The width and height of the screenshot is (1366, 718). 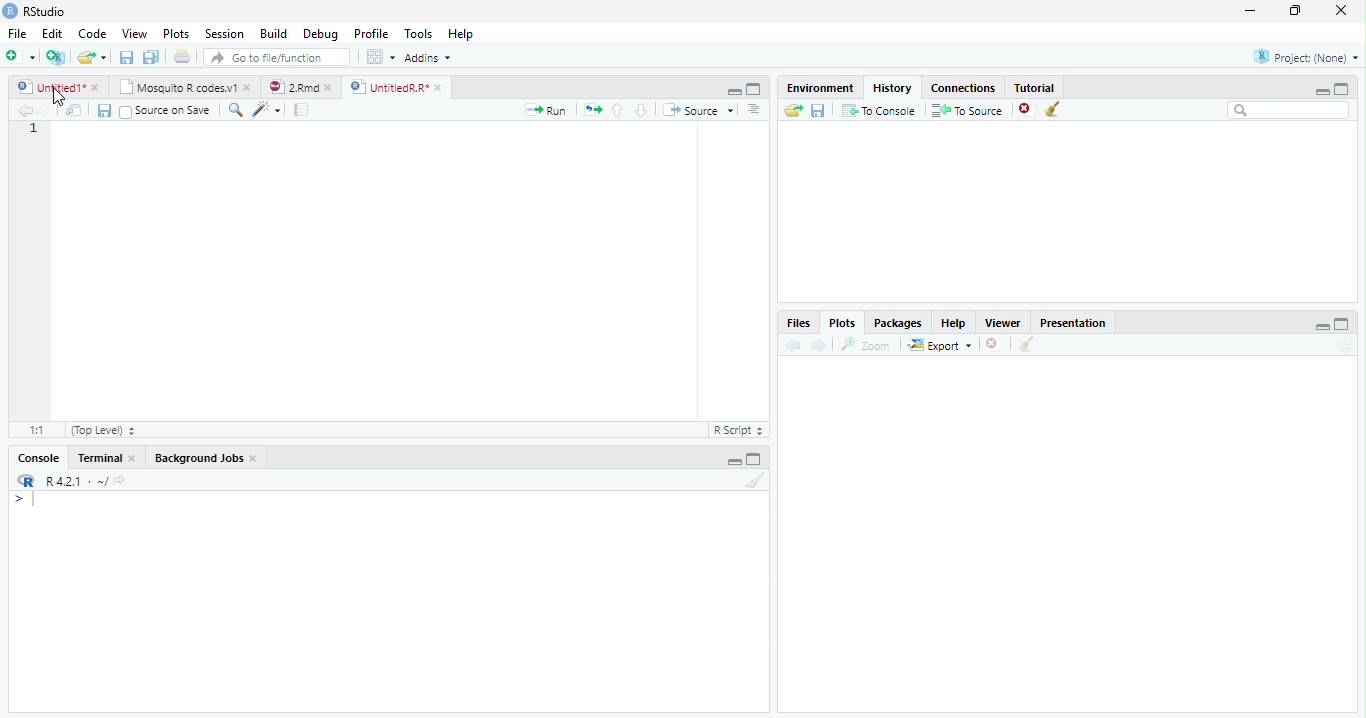 I want to click on Show in new window, so click(x=77, y=112).